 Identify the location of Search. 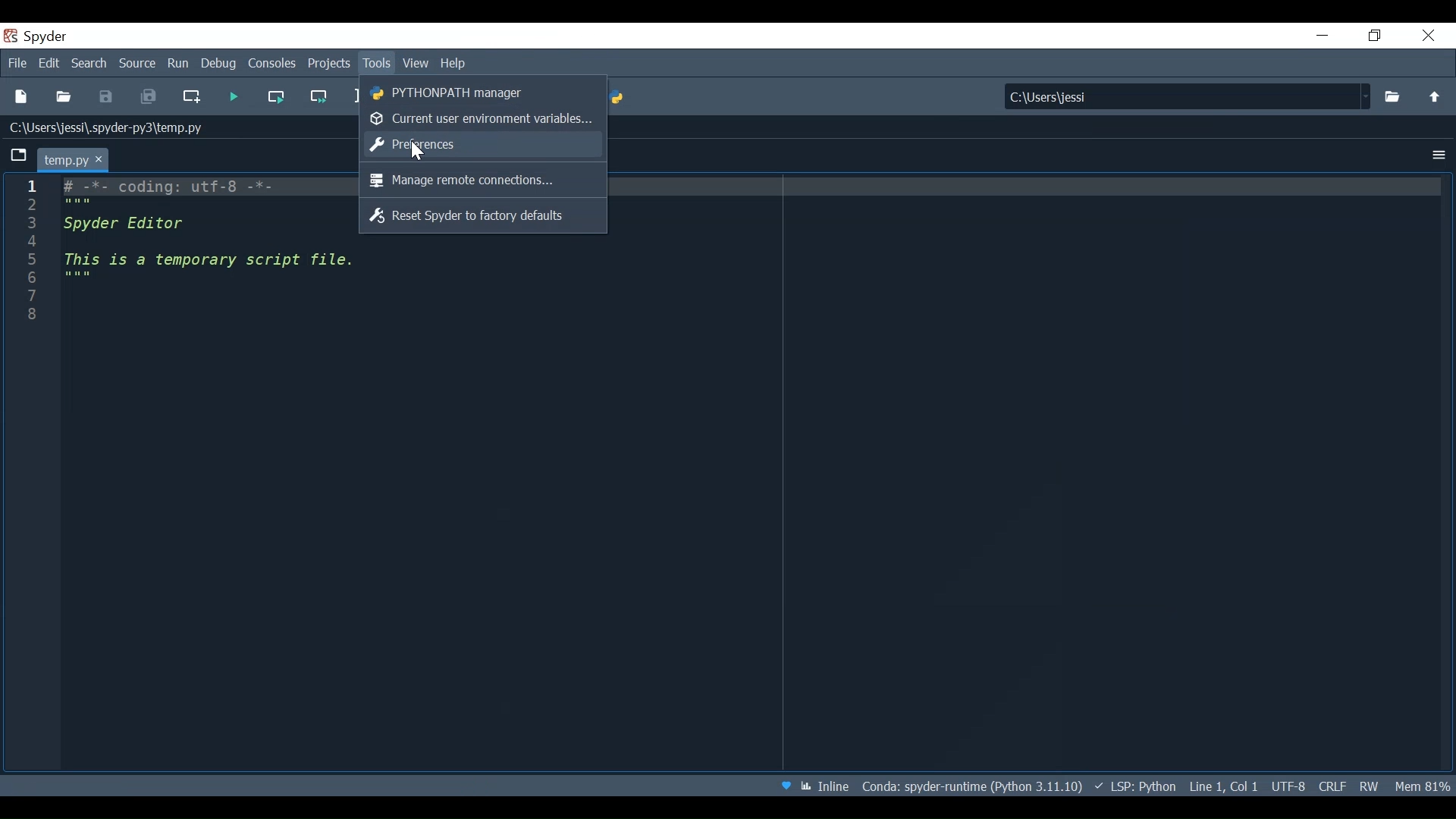
(90, 64).